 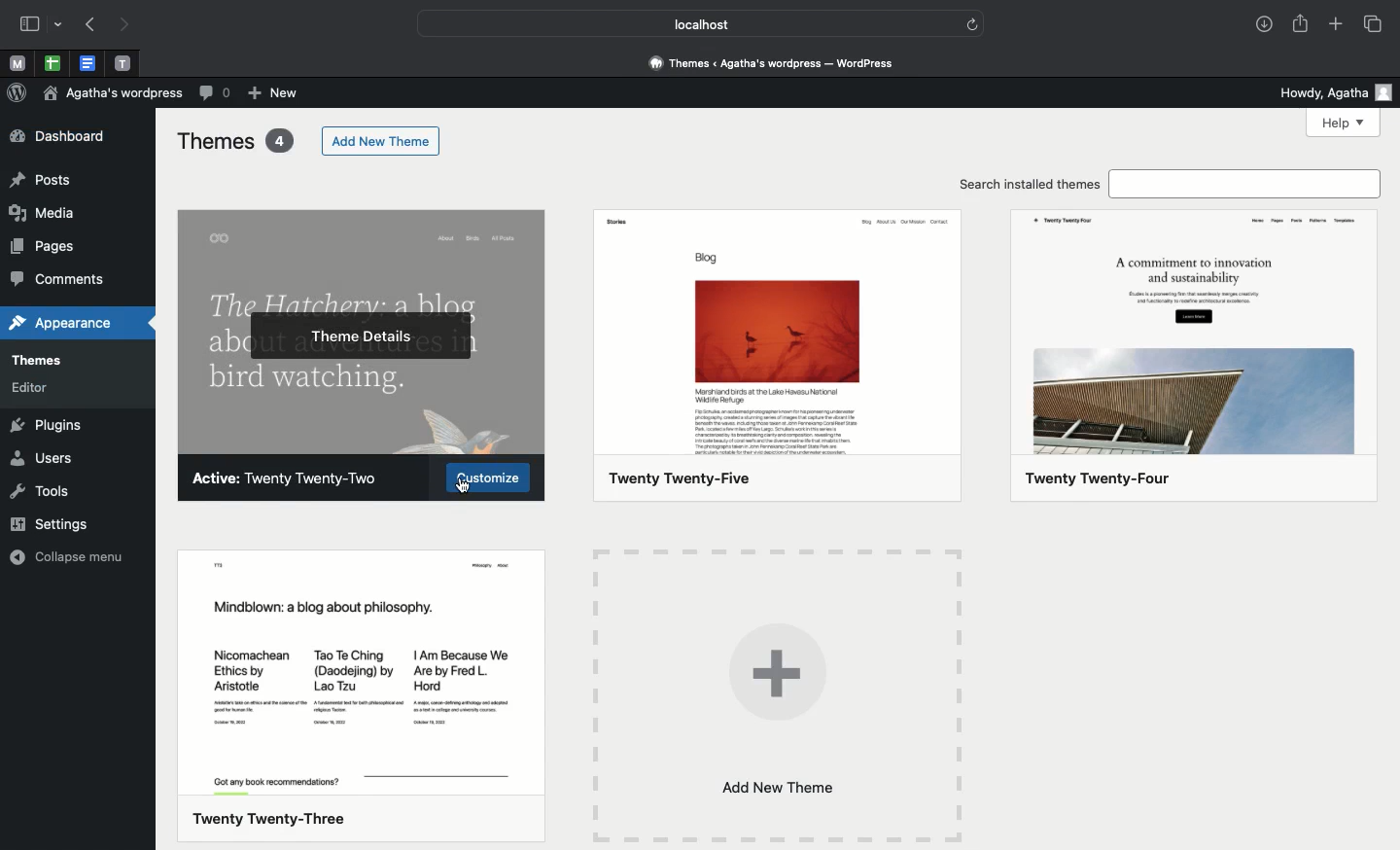 What do you see at coordinates (1302, 23) in the screenshot?
I see `Share` at bounding box center [1302, 23].